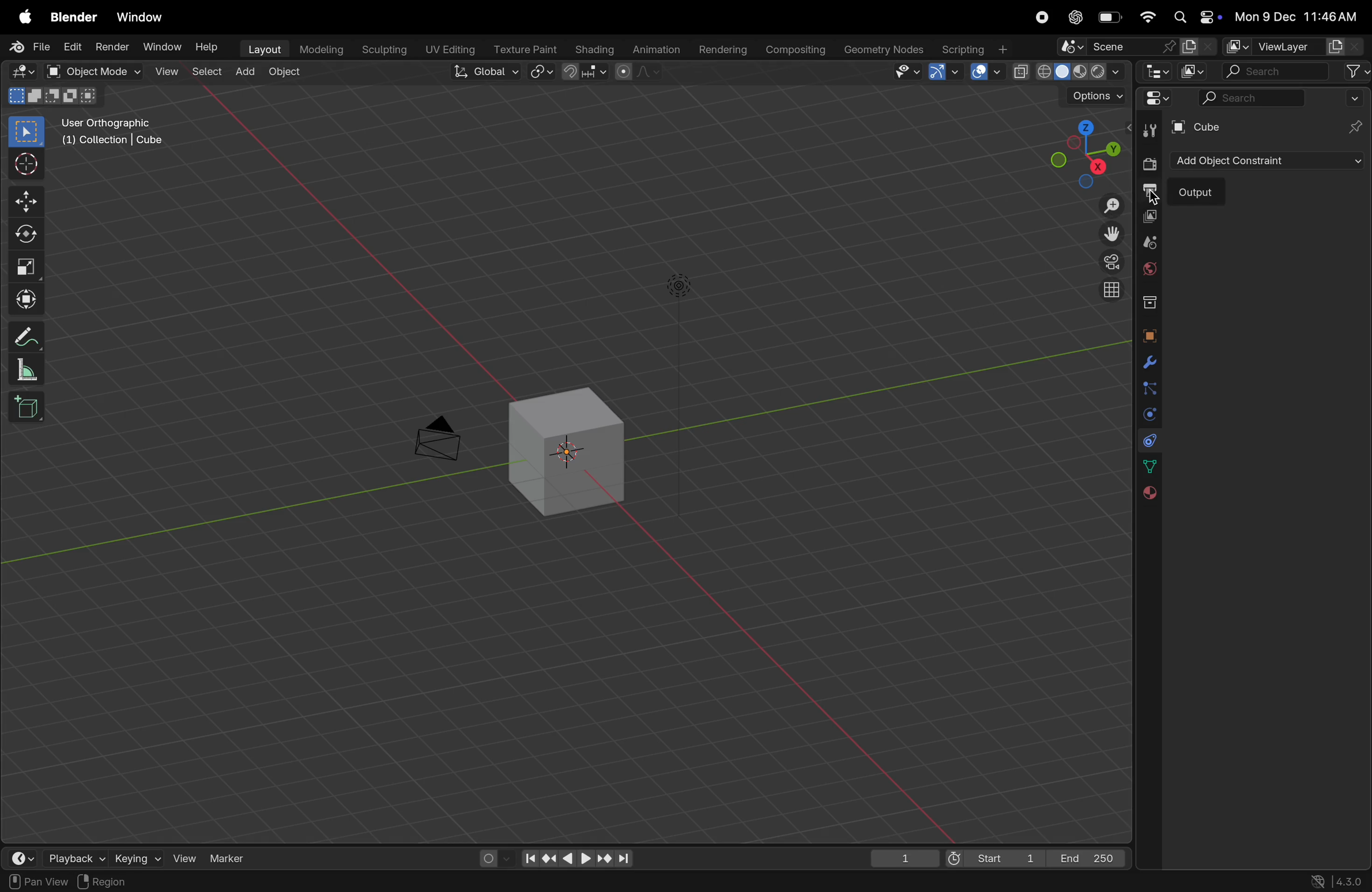 This screenshot has height=892, width=1372. What do you see at coordinates (1147, 413) in the screenshot?
I see `physics` at bounding box center [1147, 413].